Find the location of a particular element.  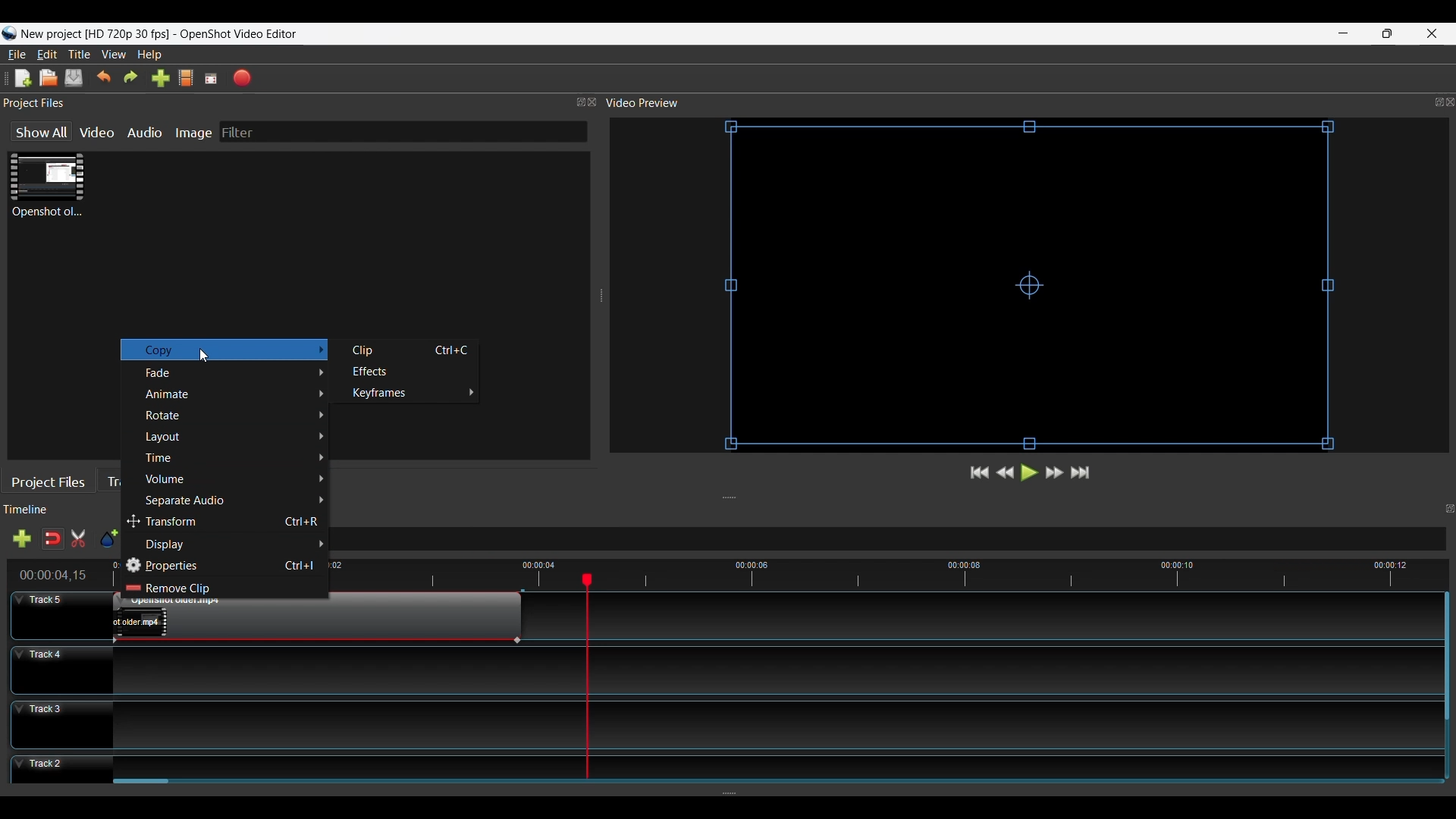

Jump to End is located at coordinates (1082, 473).